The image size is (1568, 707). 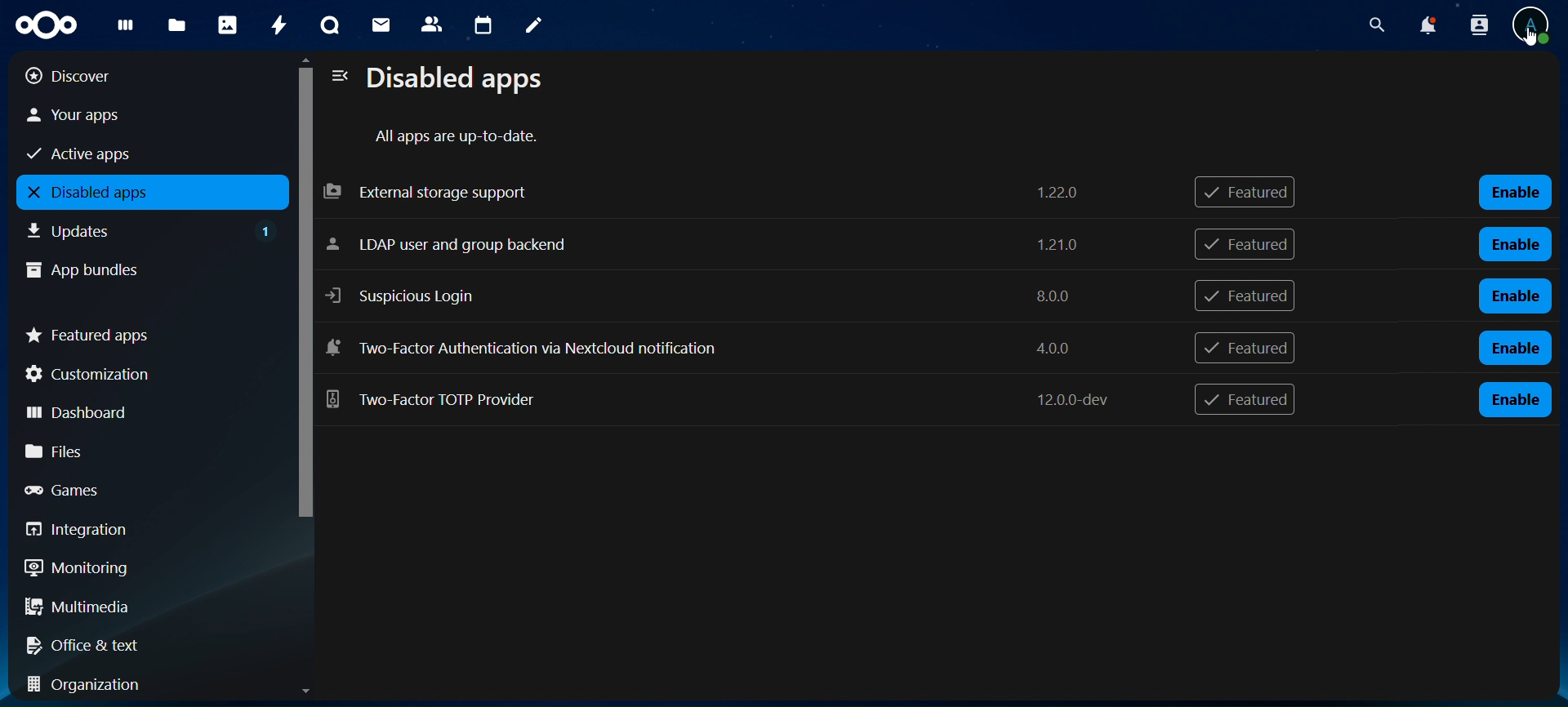 I want to click on notification, so click(x=1427, y=26).